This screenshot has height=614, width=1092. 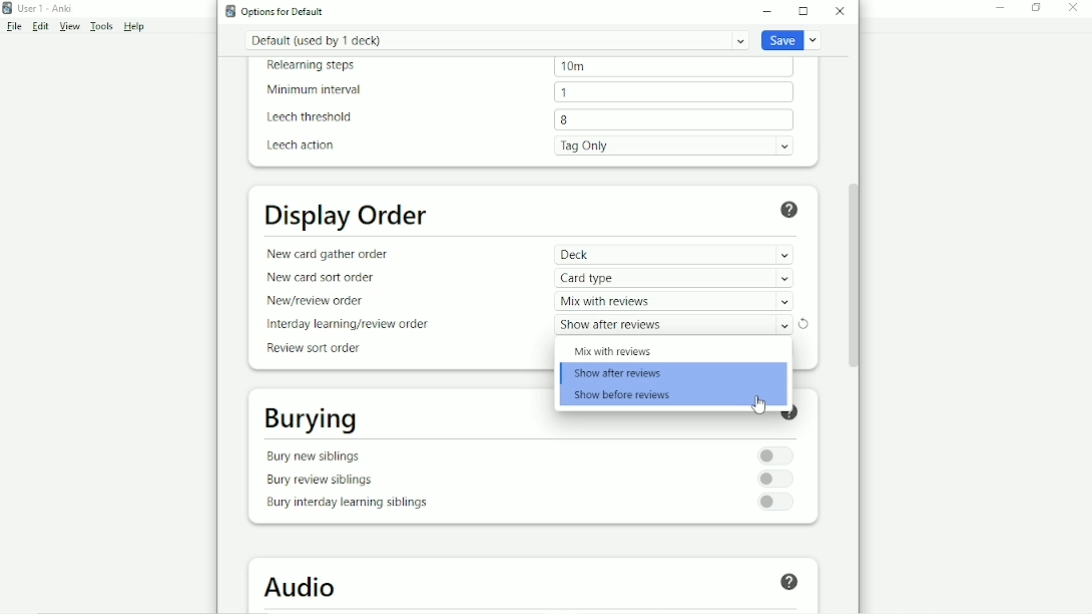 I want to click on Display Order, so click(x=347, y=215).